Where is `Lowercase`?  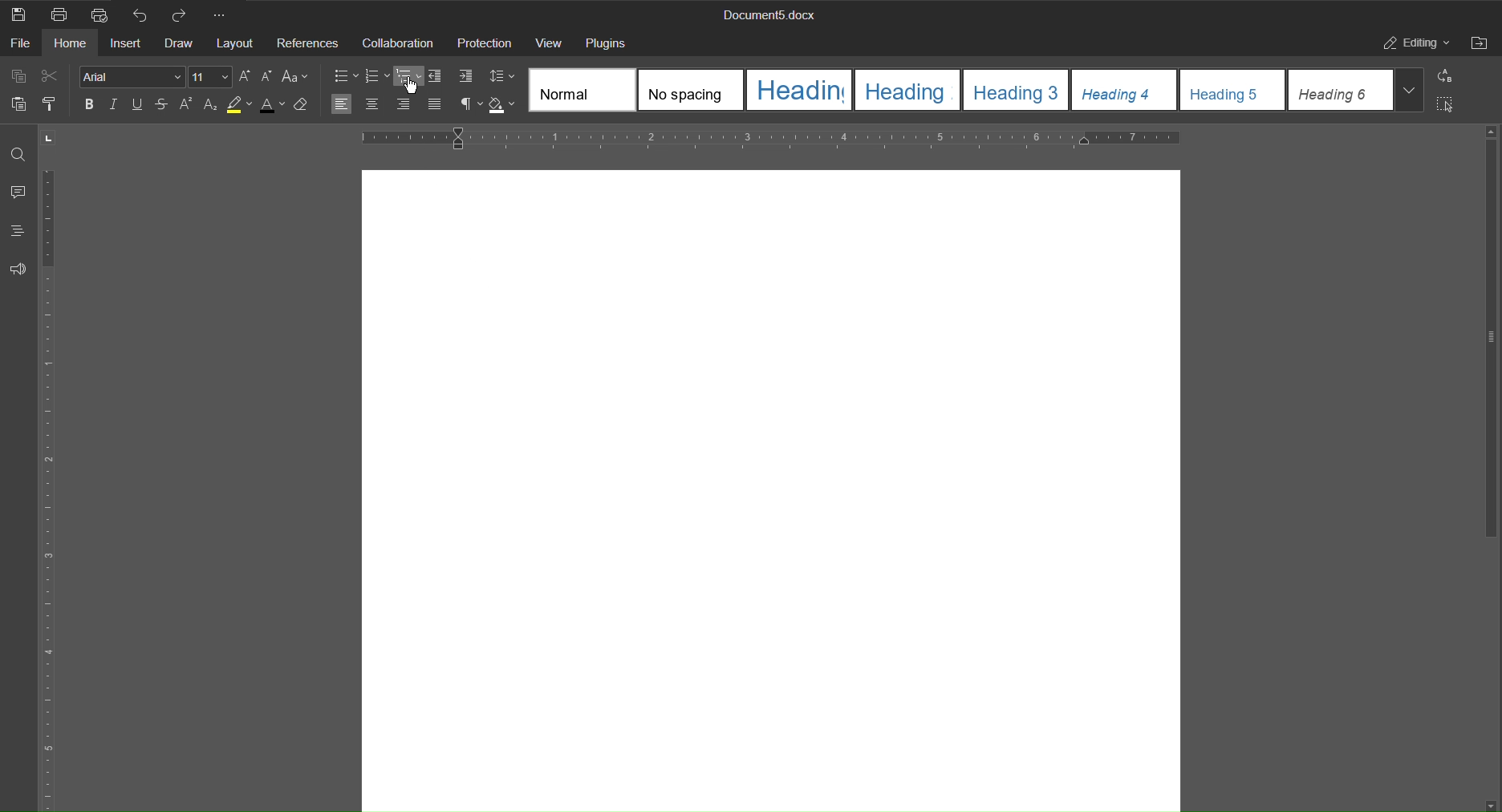 Lowercase is located at coordinates (268, 76).